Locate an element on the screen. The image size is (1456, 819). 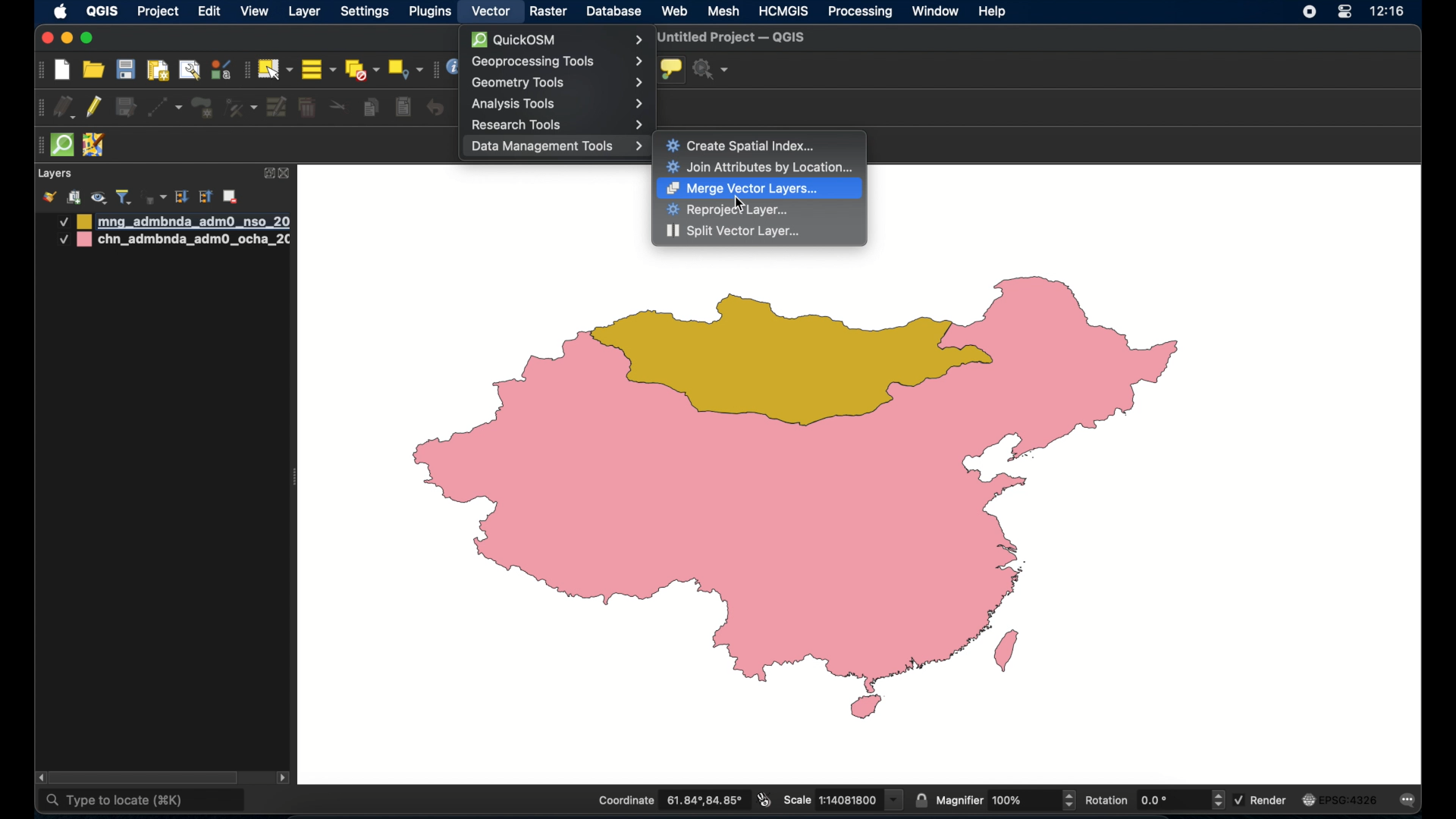
web is located at coordinates (676, 11).